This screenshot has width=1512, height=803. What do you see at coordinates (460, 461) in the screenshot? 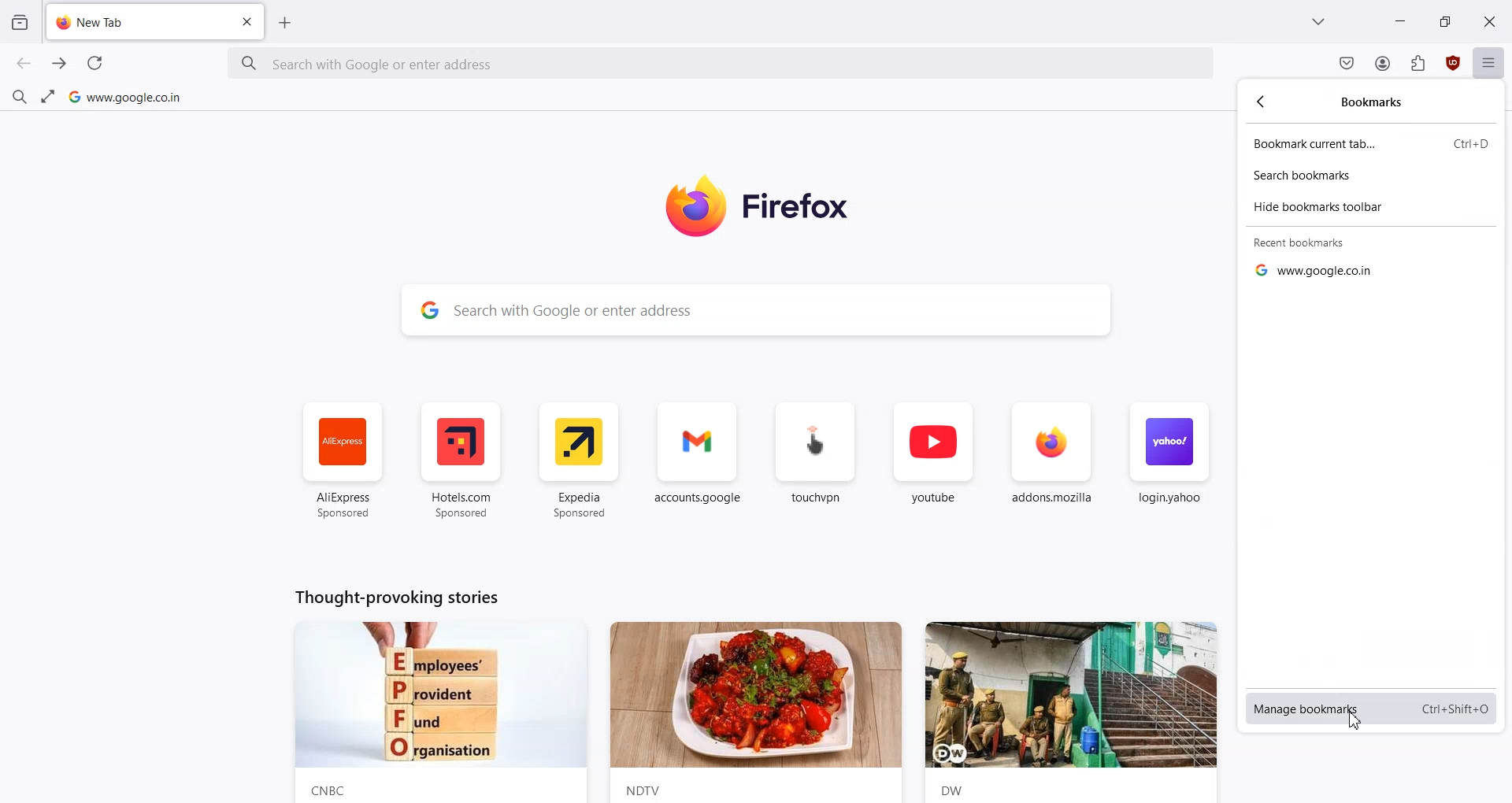
I see `Hotel.com Sponsored` at bounding box center [460, 461].